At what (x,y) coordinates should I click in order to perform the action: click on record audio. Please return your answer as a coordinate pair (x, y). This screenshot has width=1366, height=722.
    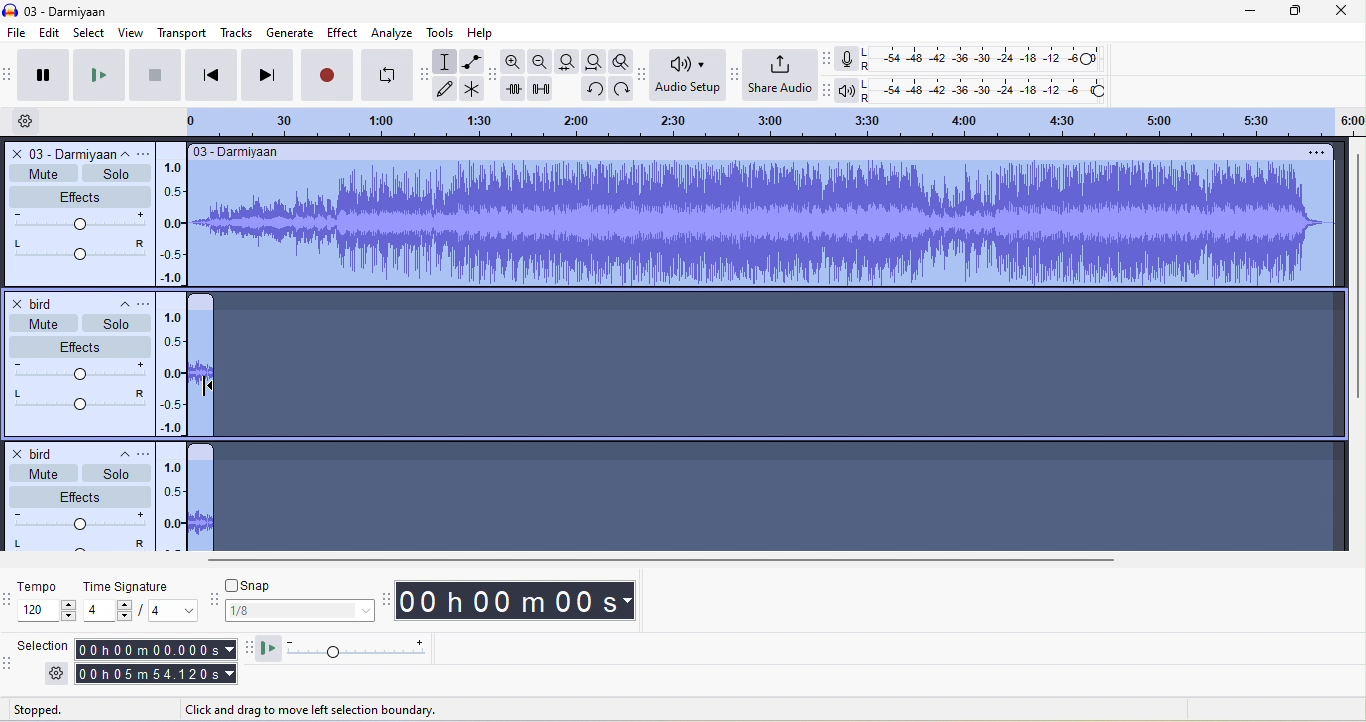
    Looking at the image, I should click on (767, 225).